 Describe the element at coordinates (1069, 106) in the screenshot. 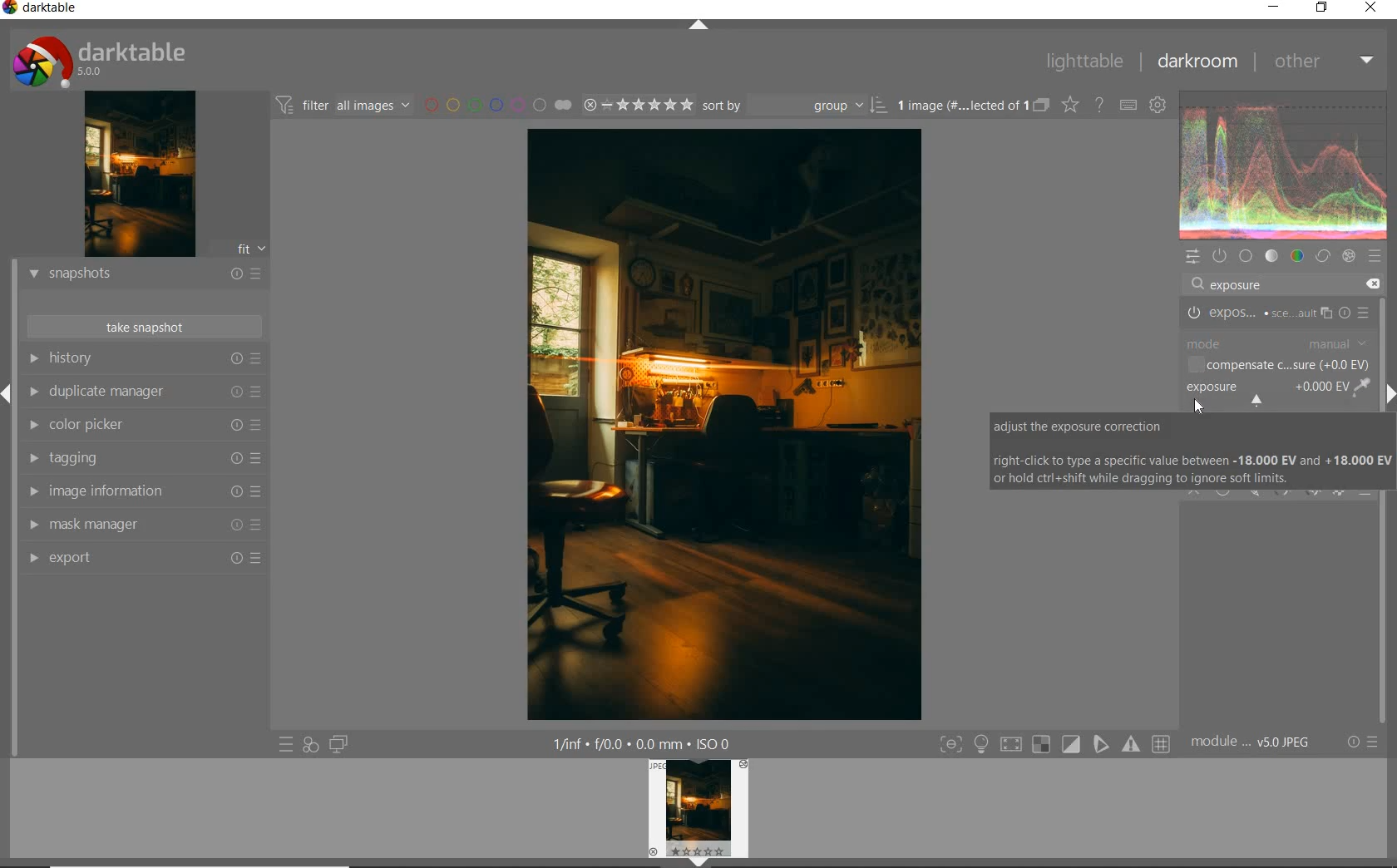

I see `change overlays shown on thumbnails` at that location.